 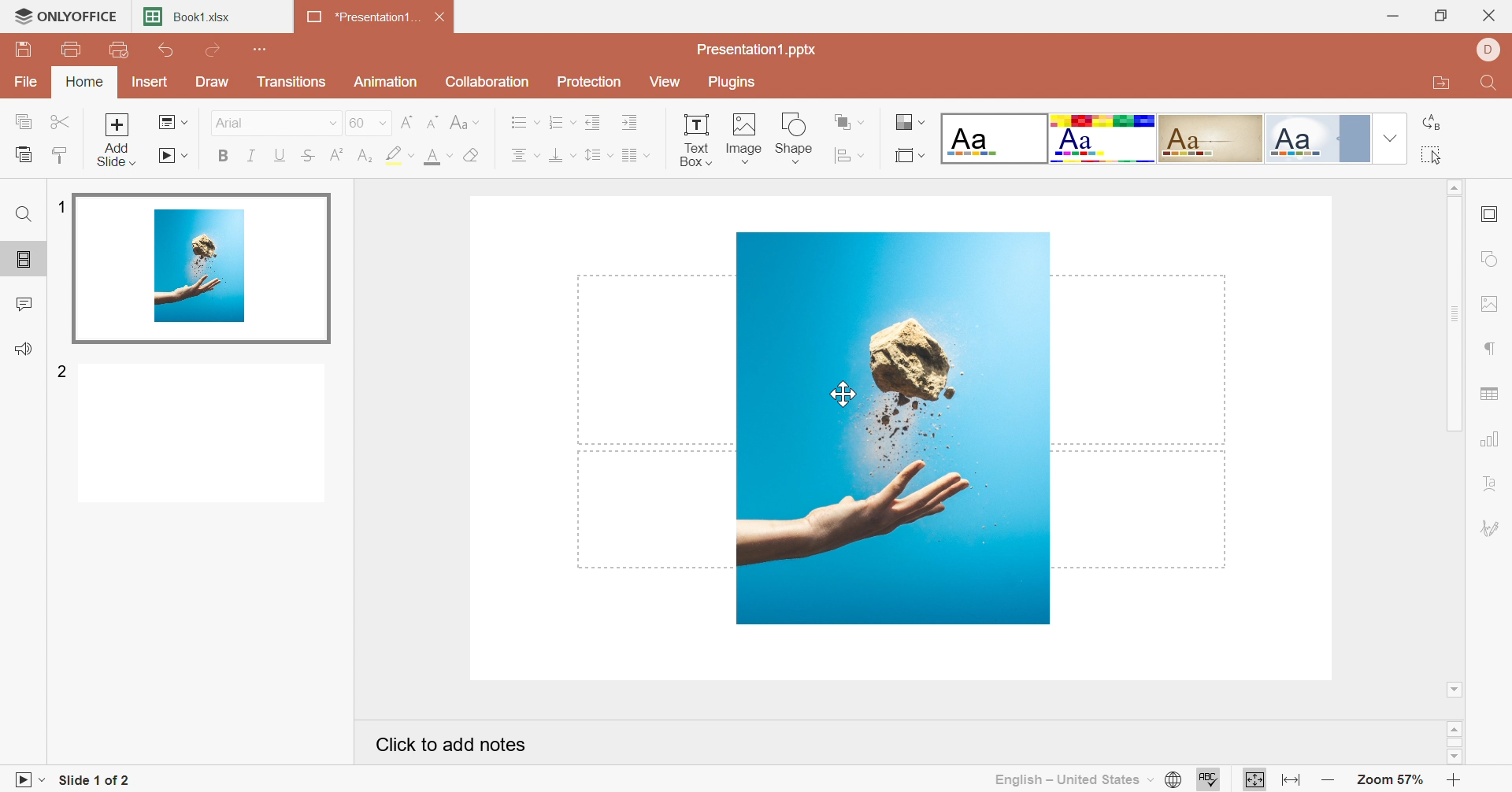 I want to click on Minimize, so click(x=1392, y=16).